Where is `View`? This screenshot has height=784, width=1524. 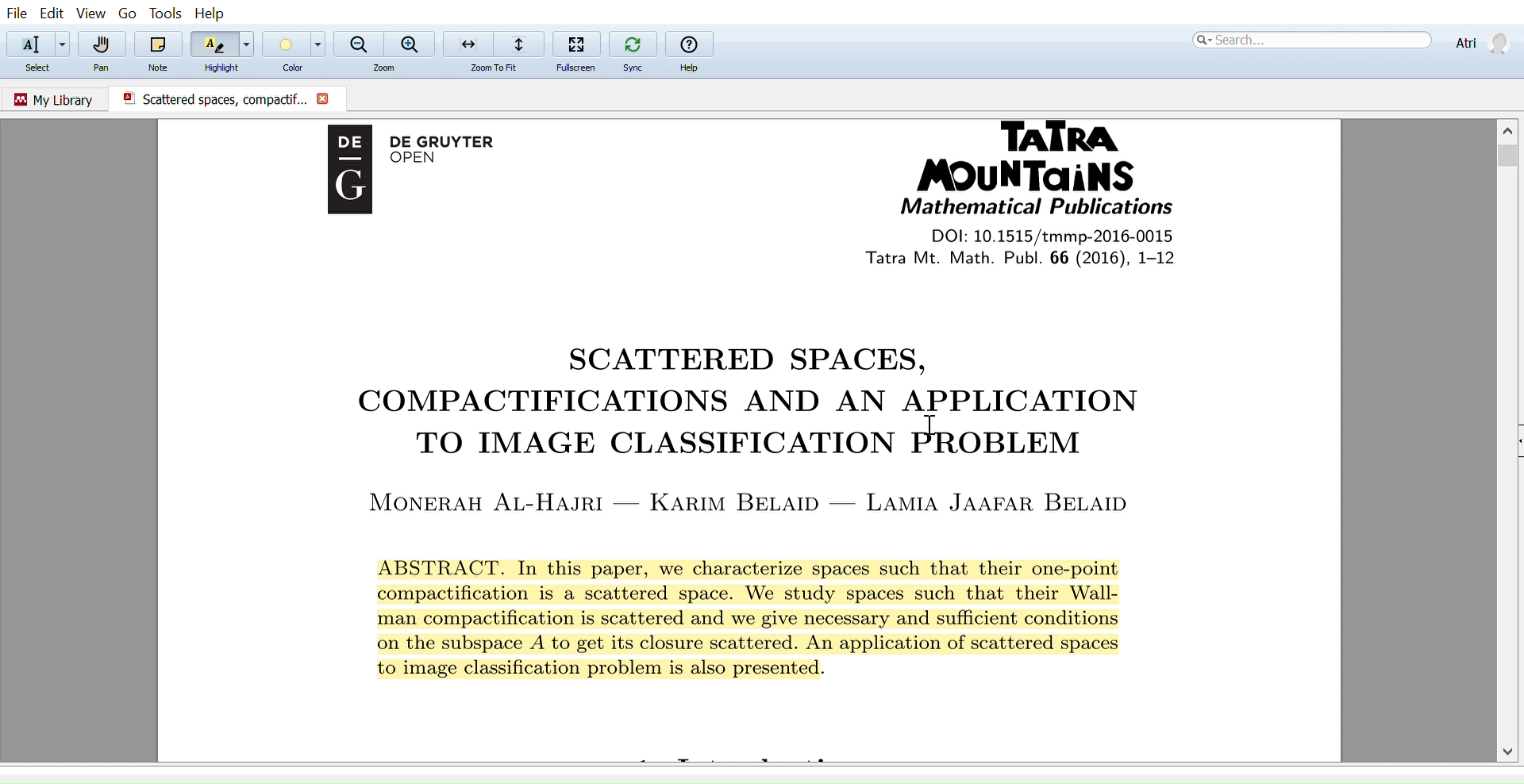
View is located at coordinates (92, 14).